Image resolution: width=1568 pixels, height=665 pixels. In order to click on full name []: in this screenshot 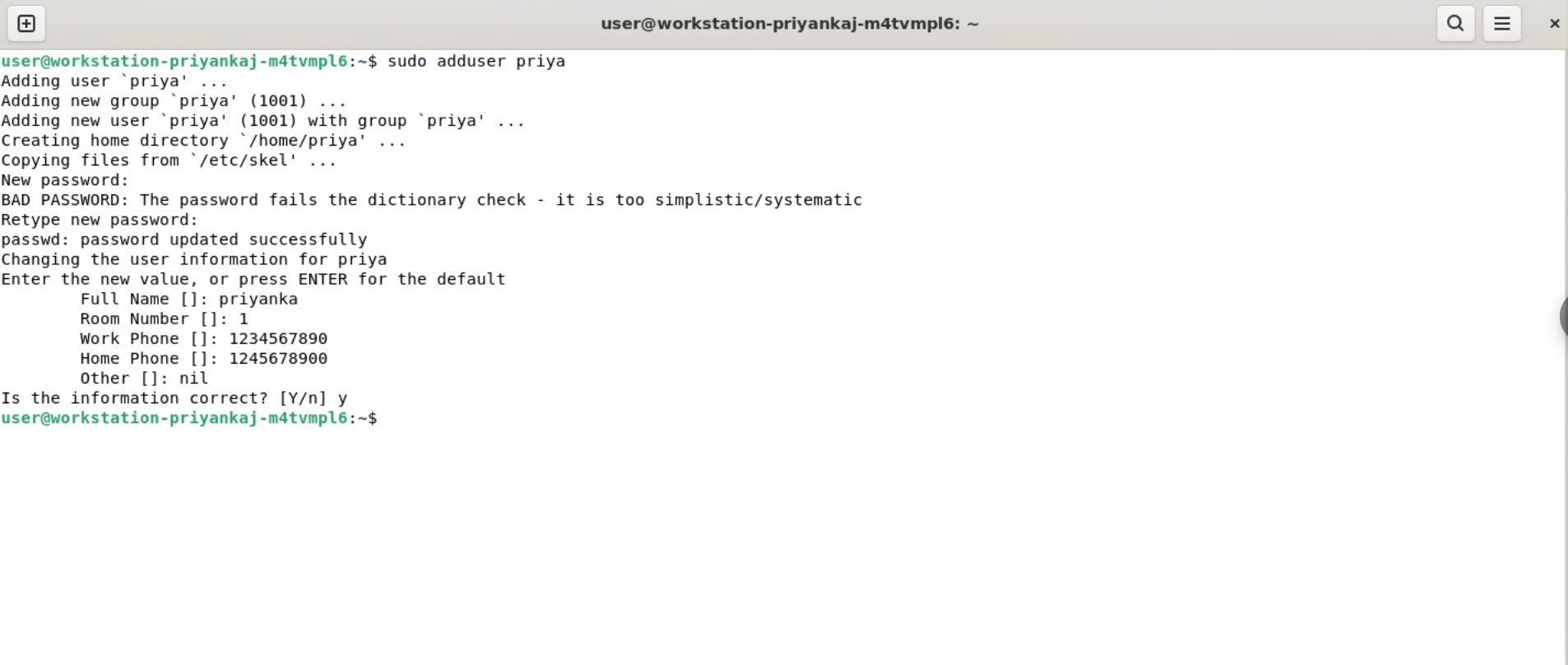, I will do `click(140, 300)`.